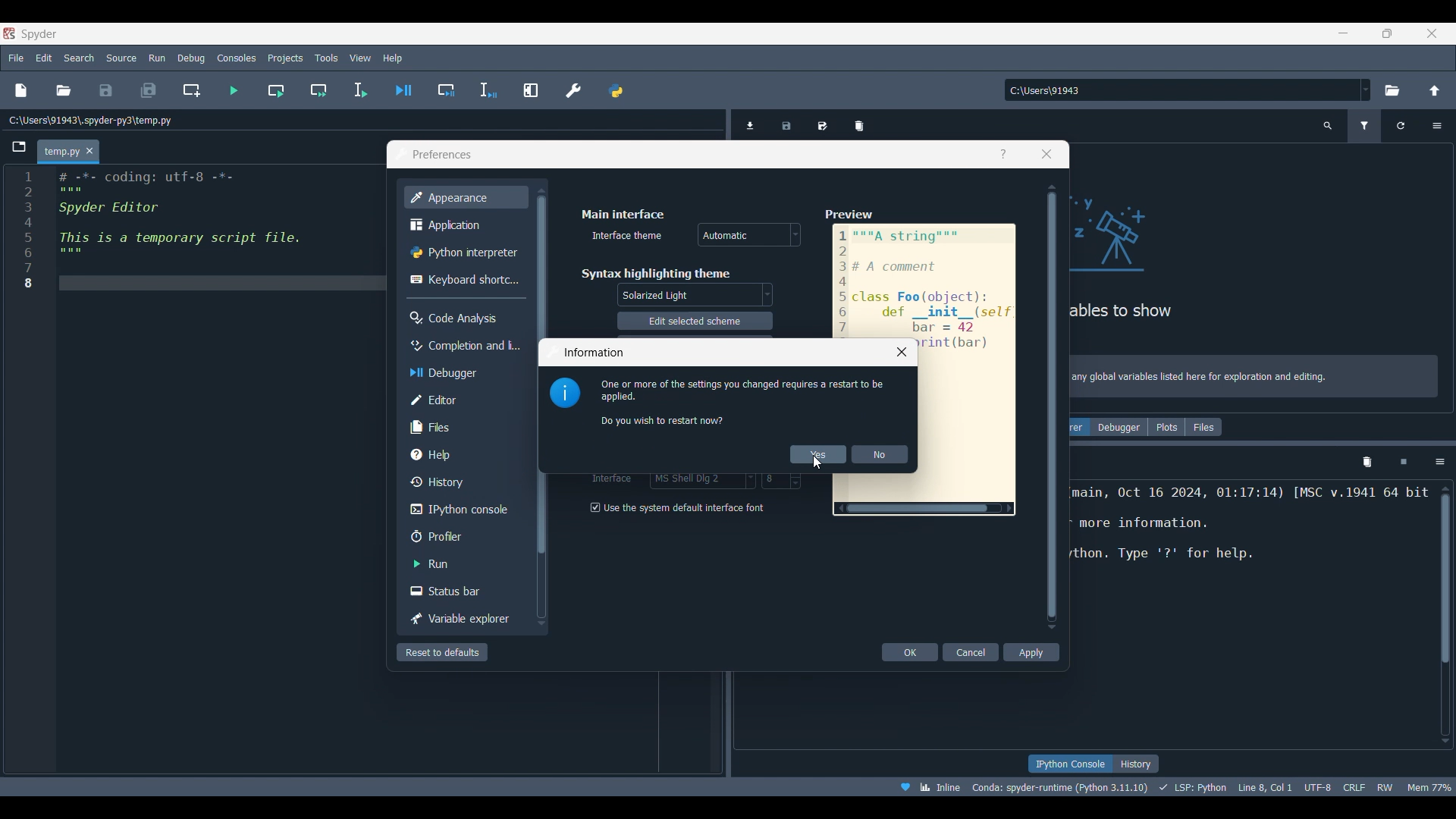 This screenshot has width=1456, height=819. What do you see at coordinates (275, 90) in the screenshot?
I see `Run current cell` at bounding box center [275, 90].